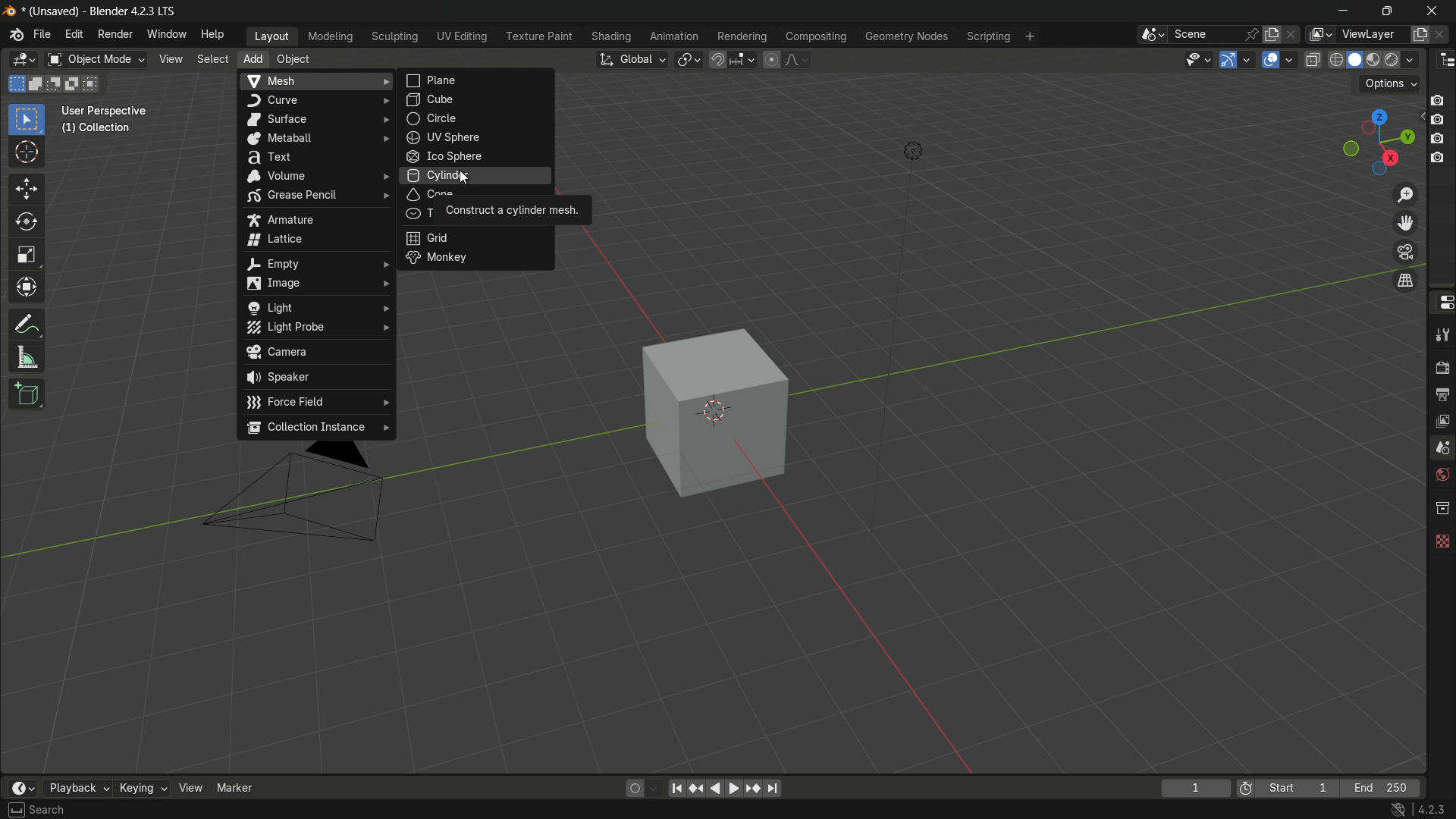  Describe the element at coordinates (1439, 366) in the screenshot. I see `render` at that location.